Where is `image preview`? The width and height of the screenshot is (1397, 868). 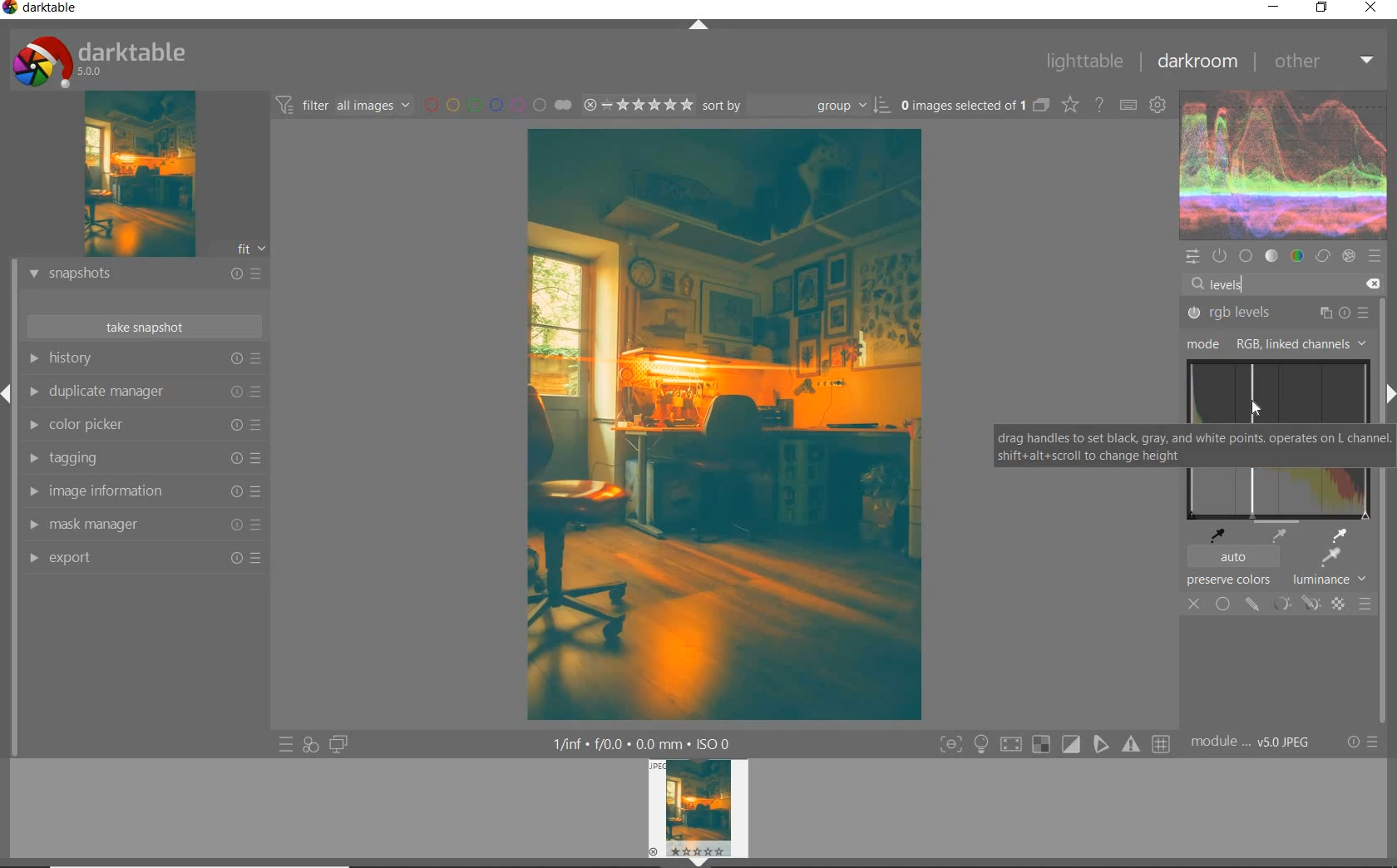
image preview is located at coordinates (698, 813).